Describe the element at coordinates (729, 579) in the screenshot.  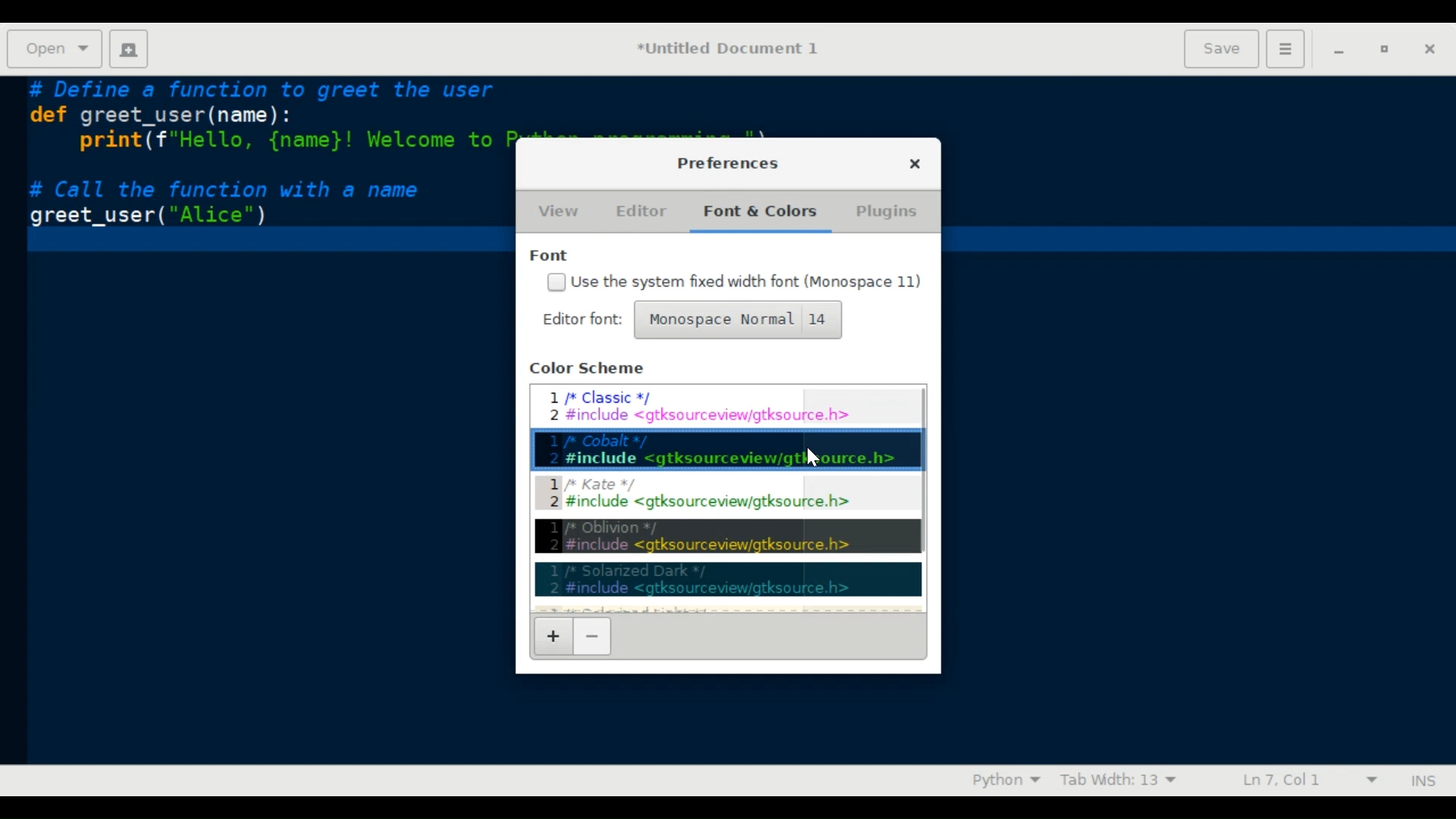
I see `Solarized dark` at that location.